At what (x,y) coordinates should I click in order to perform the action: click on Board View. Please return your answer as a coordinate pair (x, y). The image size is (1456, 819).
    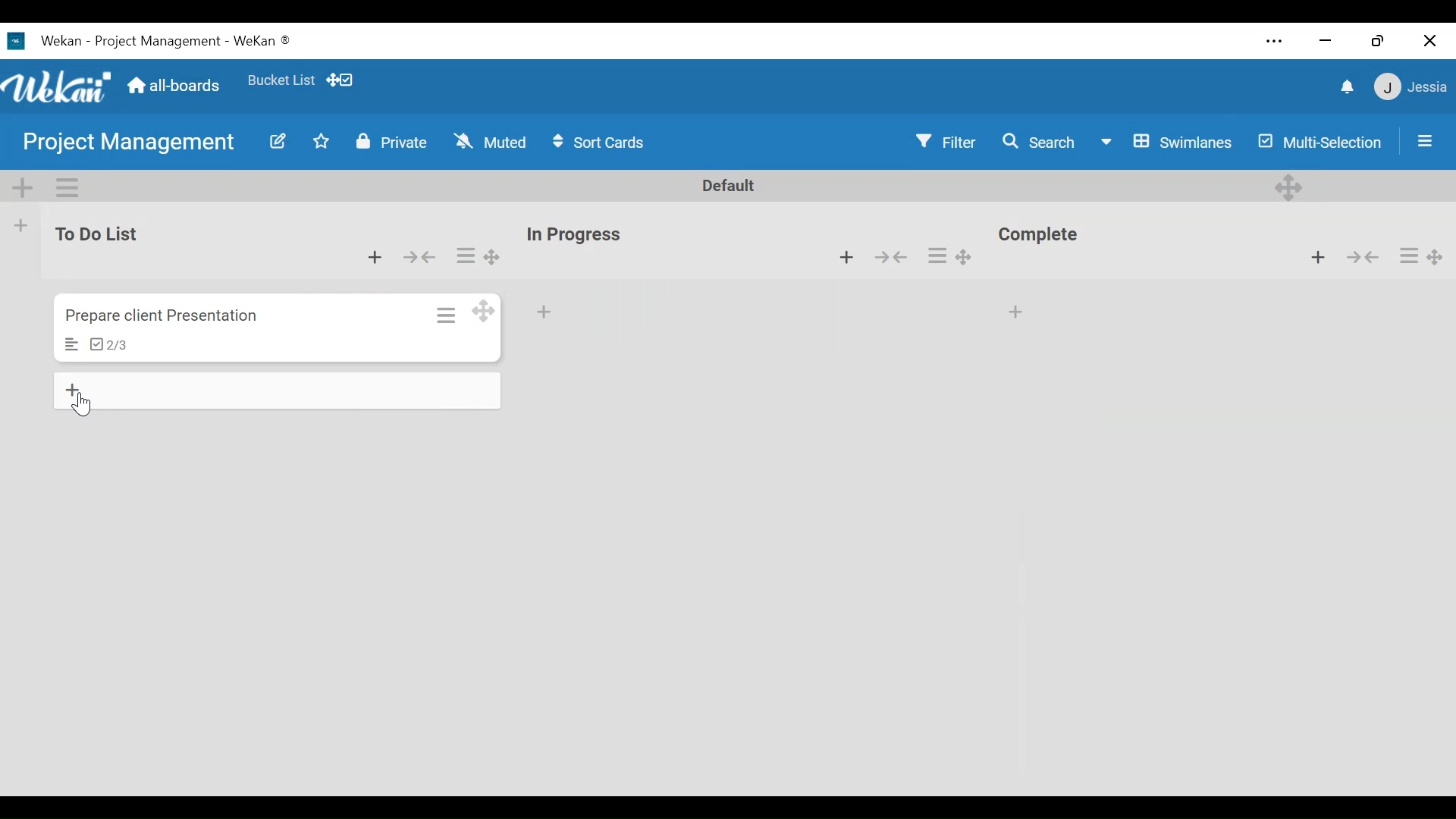
    Looking at the image, I should click on (1166, 141).